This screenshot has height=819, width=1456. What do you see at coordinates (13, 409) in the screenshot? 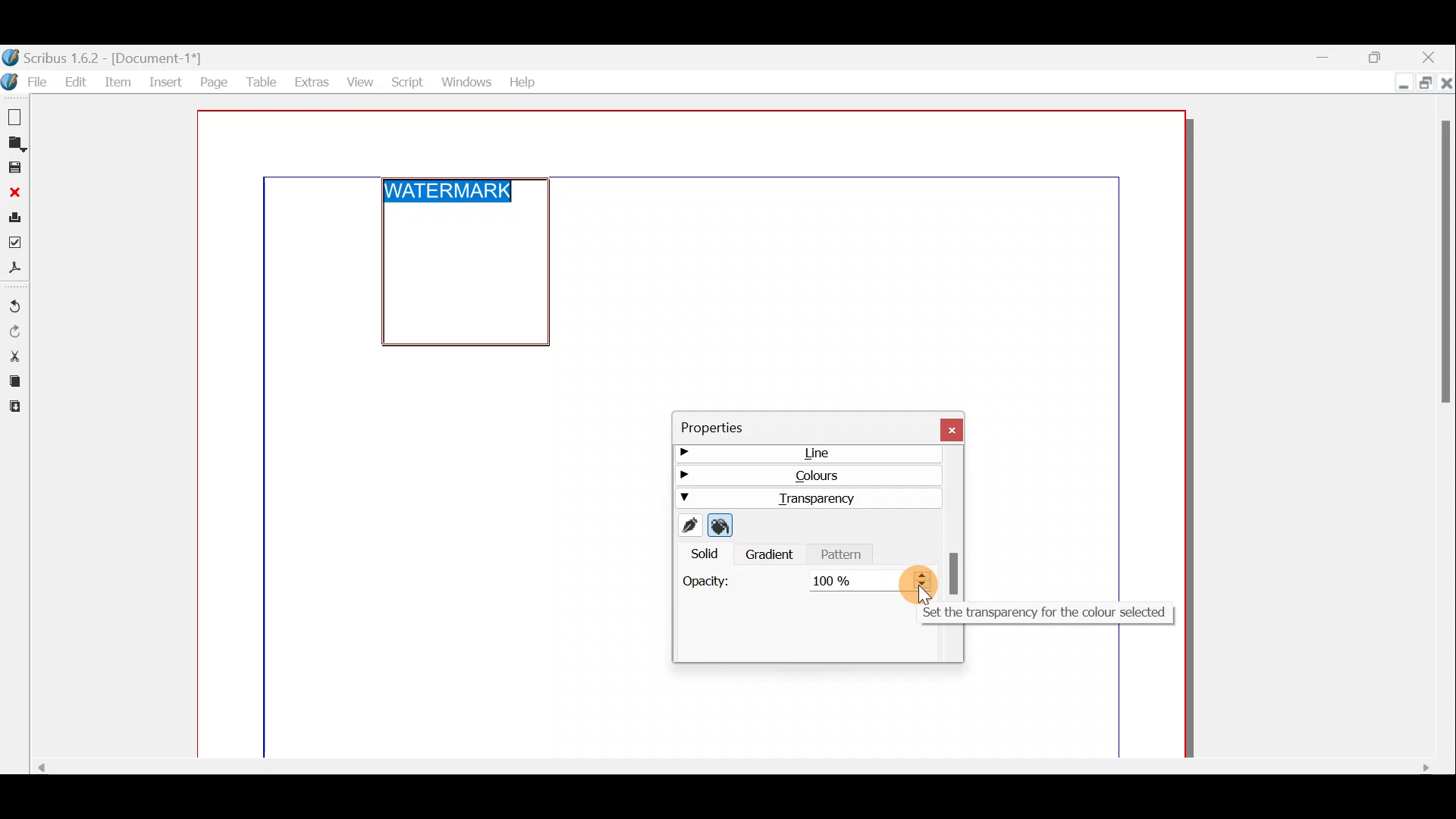
I see `Paste` at bounding box center [13, 409].